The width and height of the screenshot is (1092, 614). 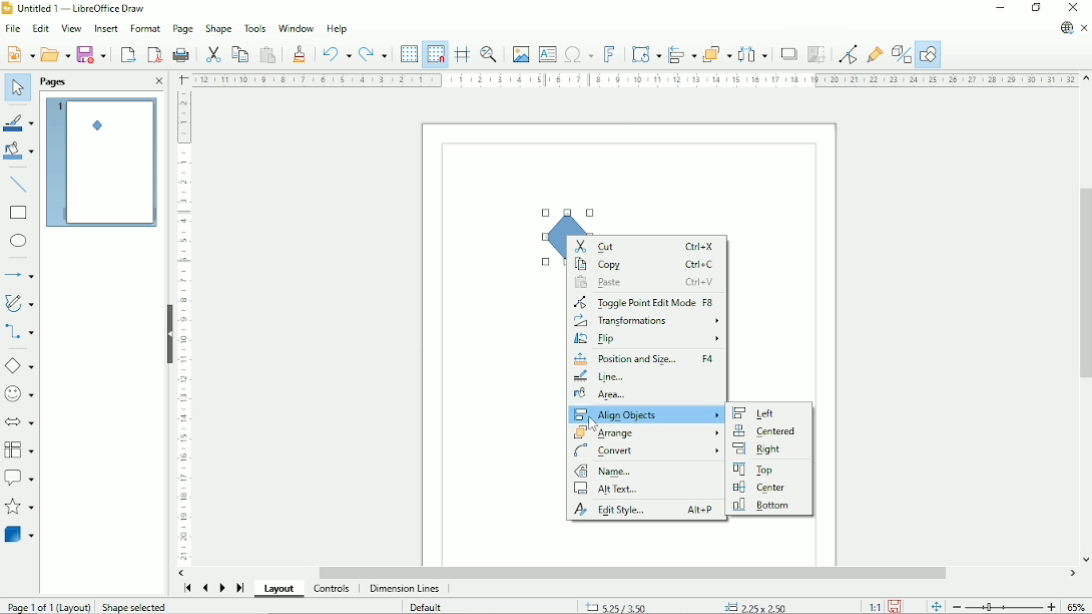 What do you see at coordinates (488, 54) in the screenshot?
I see `Zoom & pan` at bounding box center [488, 54].